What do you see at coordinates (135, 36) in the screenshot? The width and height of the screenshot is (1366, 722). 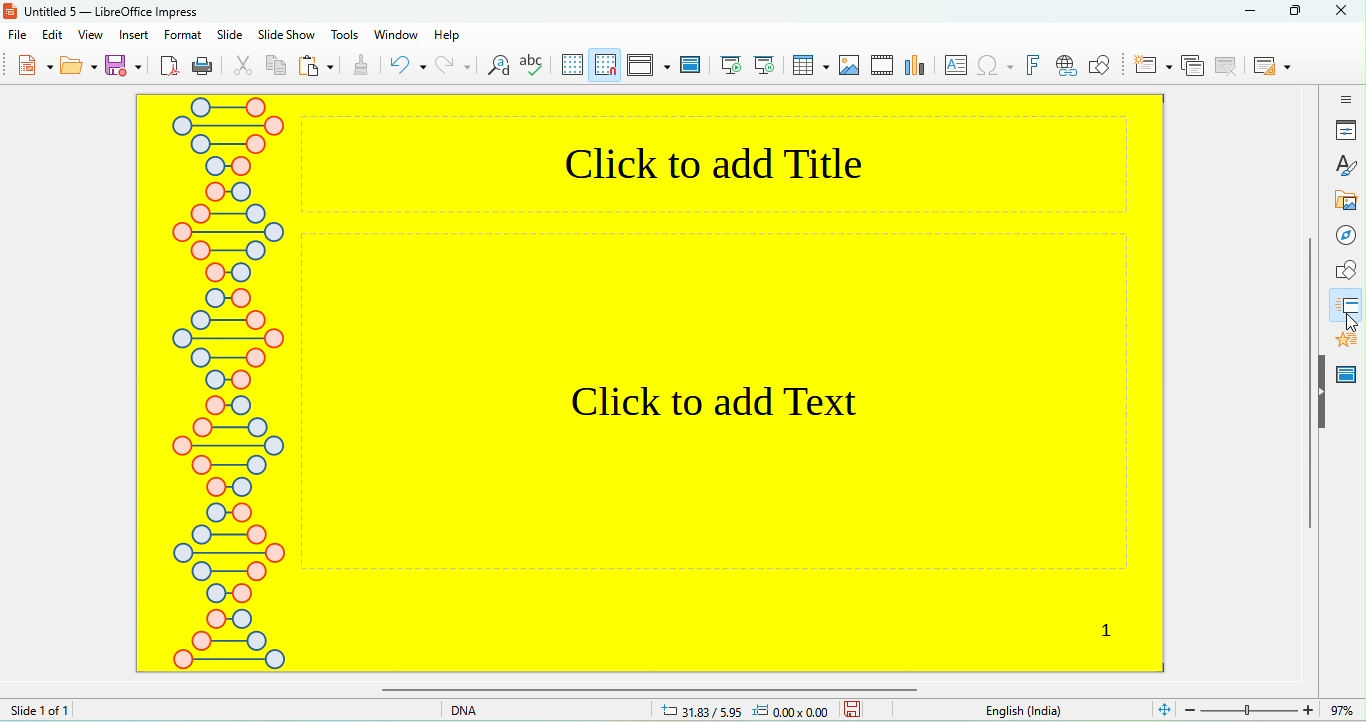 I see `insert` at bounding box center [135, 36].